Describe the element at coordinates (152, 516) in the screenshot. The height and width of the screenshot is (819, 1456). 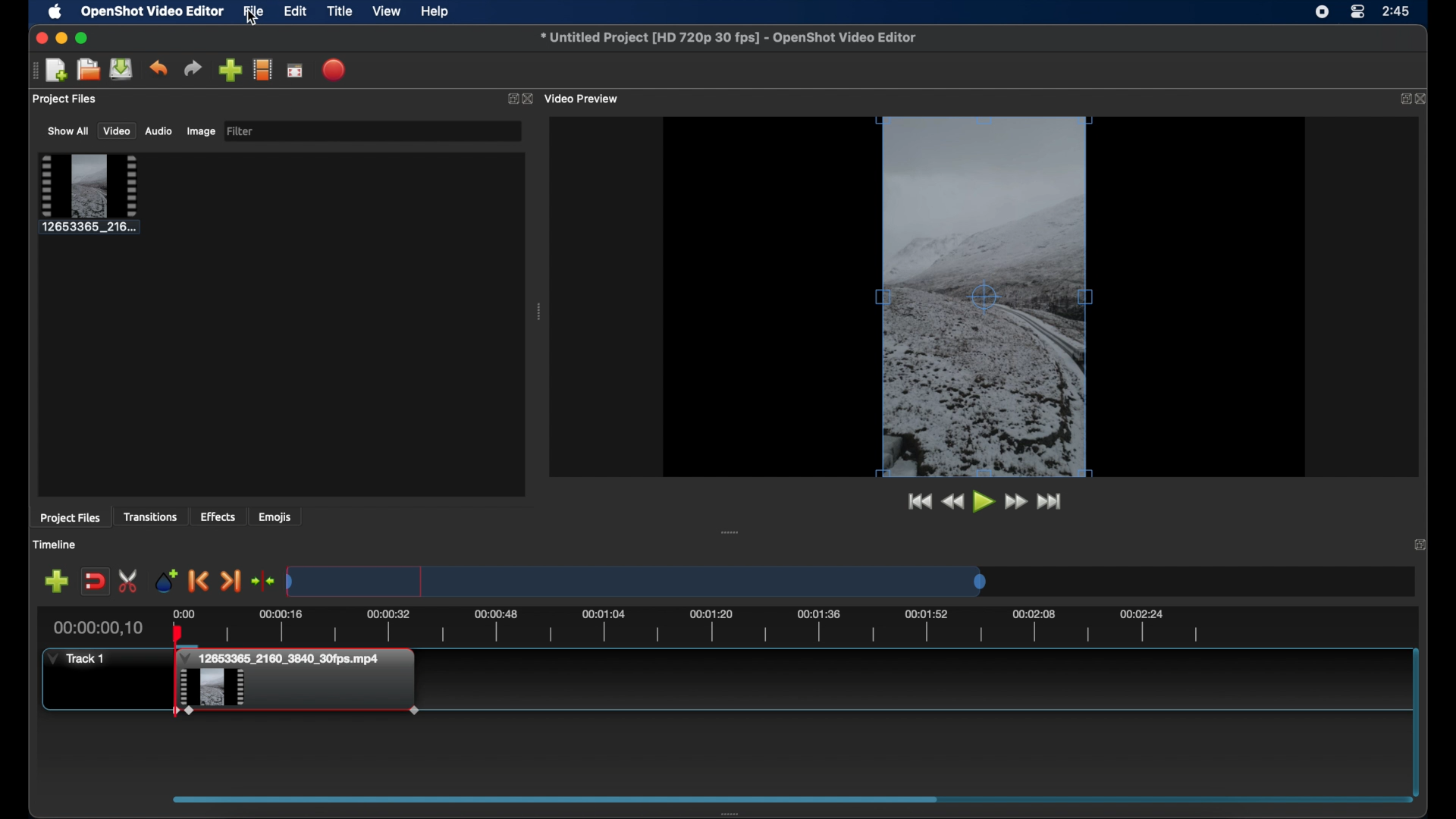
I see `transitions` at that location.